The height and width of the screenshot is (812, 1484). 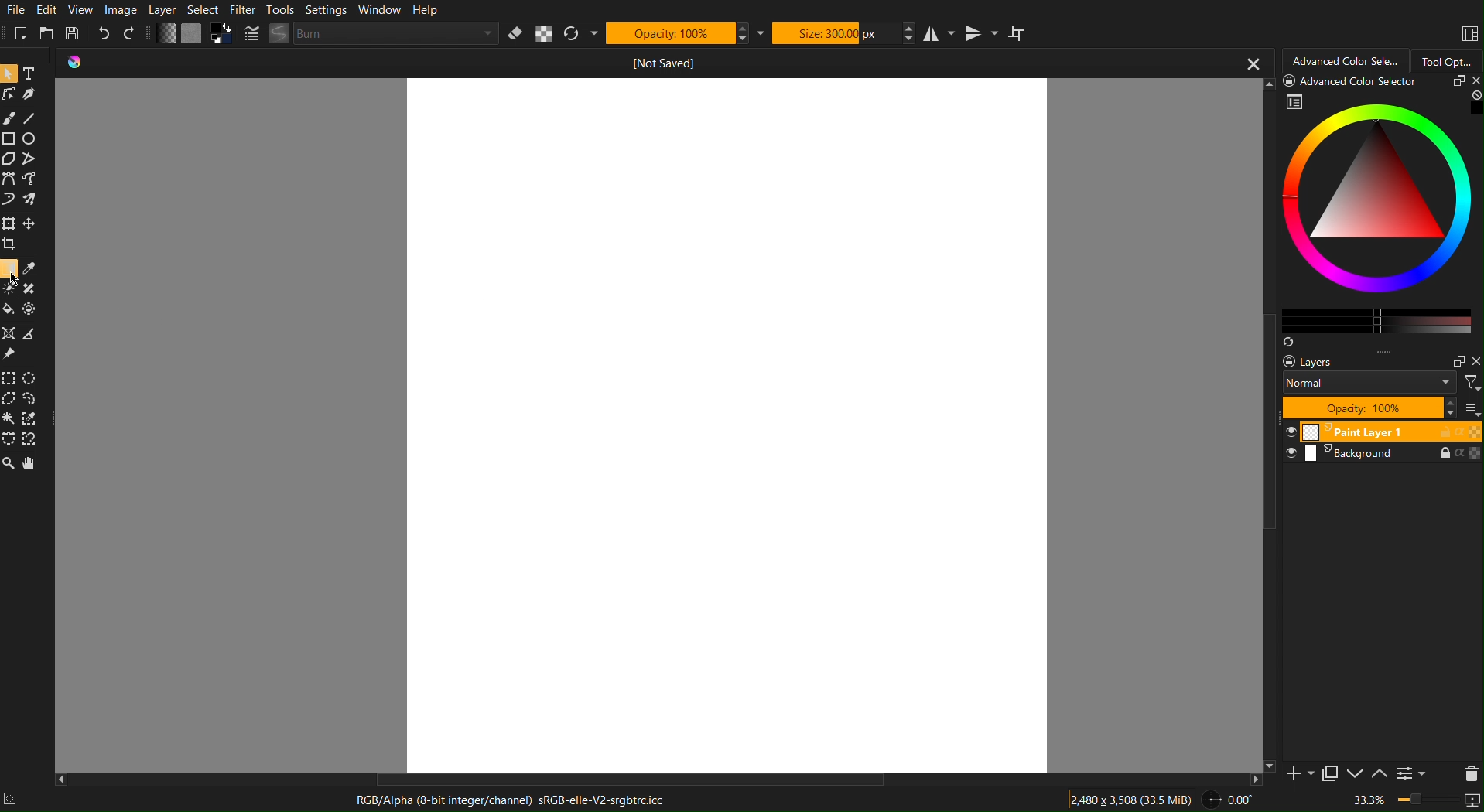 What do you see at coordinates (1017, 32) in the screenshot?
I see `Wrap Around` at bounding box center [1017, 32].